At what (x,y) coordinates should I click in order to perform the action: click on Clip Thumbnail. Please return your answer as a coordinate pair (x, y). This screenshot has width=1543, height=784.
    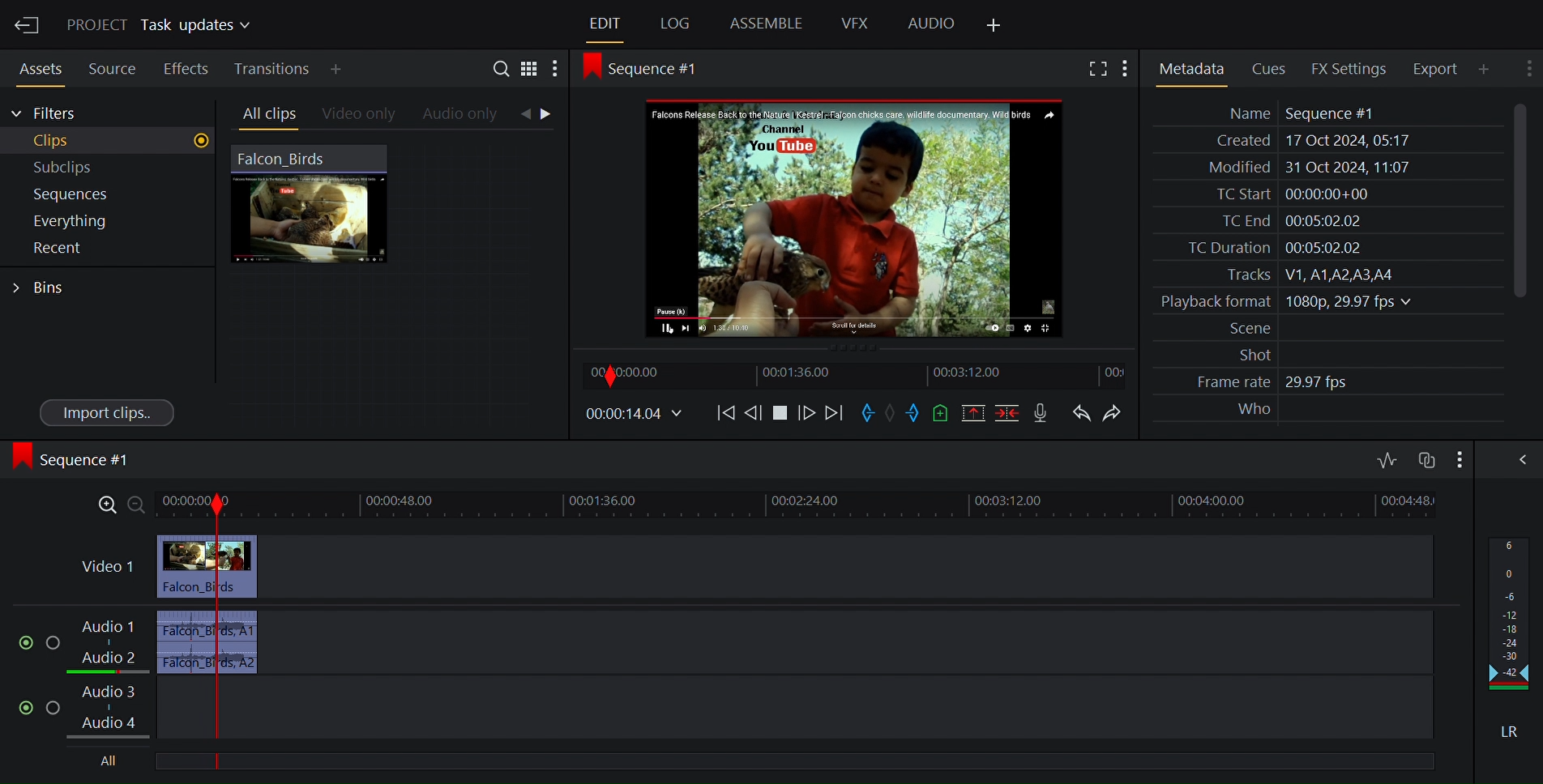
    Looking at the image, I should click on (395, 283).